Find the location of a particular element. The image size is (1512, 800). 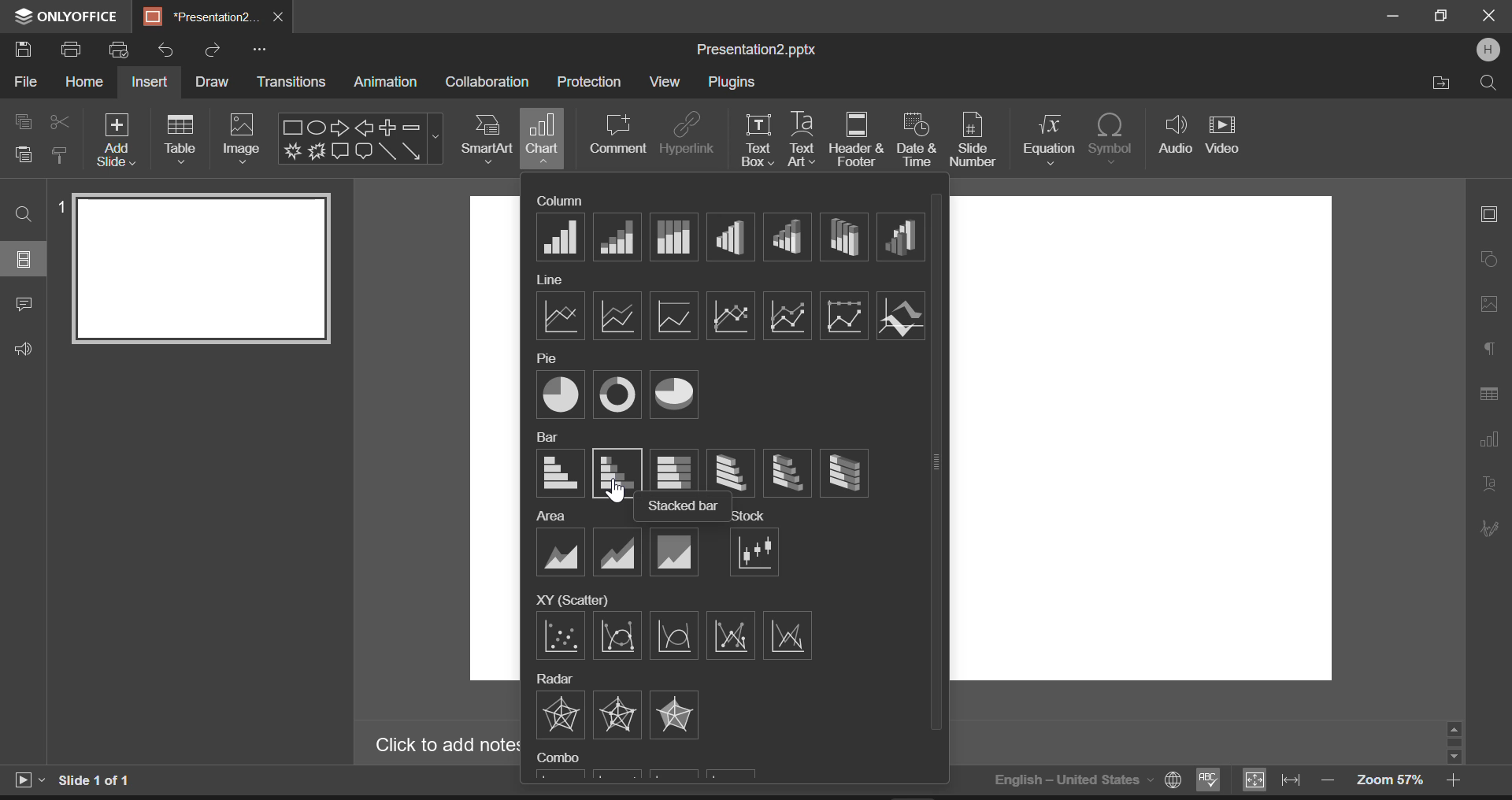

Paste is located at coordinates (24, 157).